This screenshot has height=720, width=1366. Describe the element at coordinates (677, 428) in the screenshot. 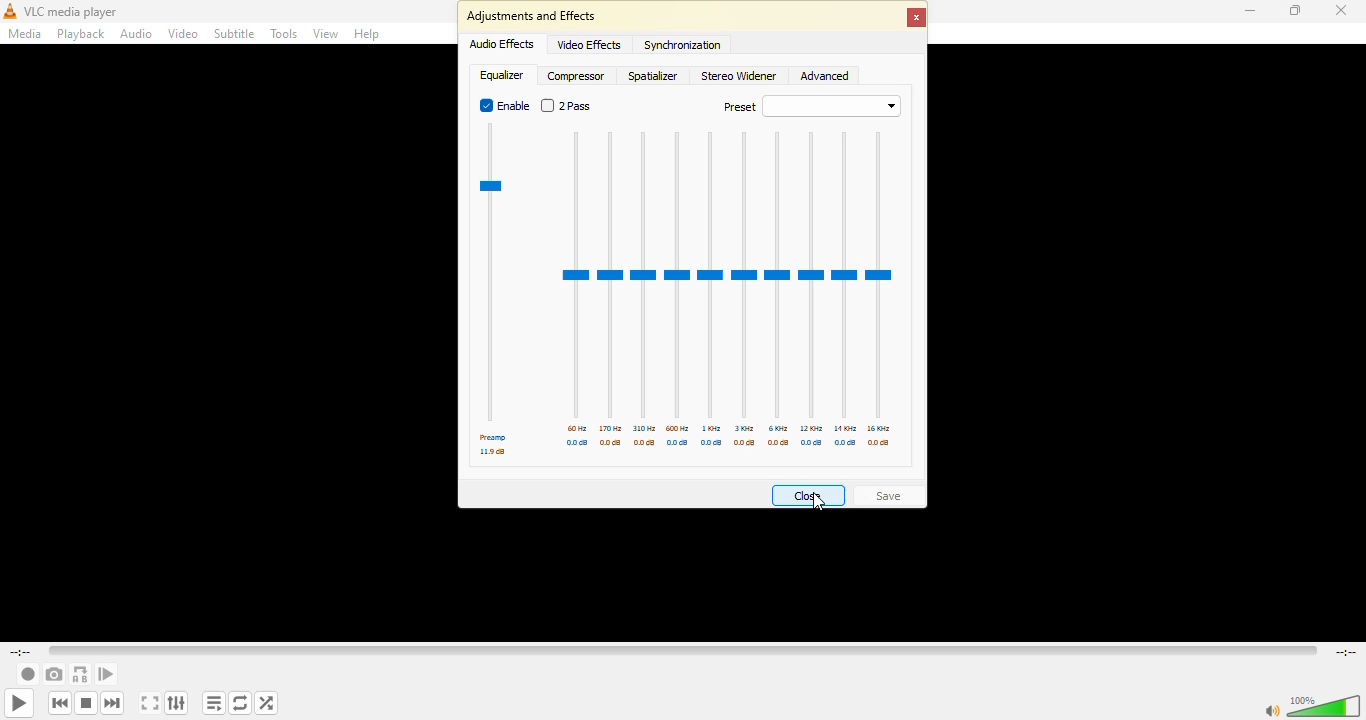

I see `600 hz` at that location.